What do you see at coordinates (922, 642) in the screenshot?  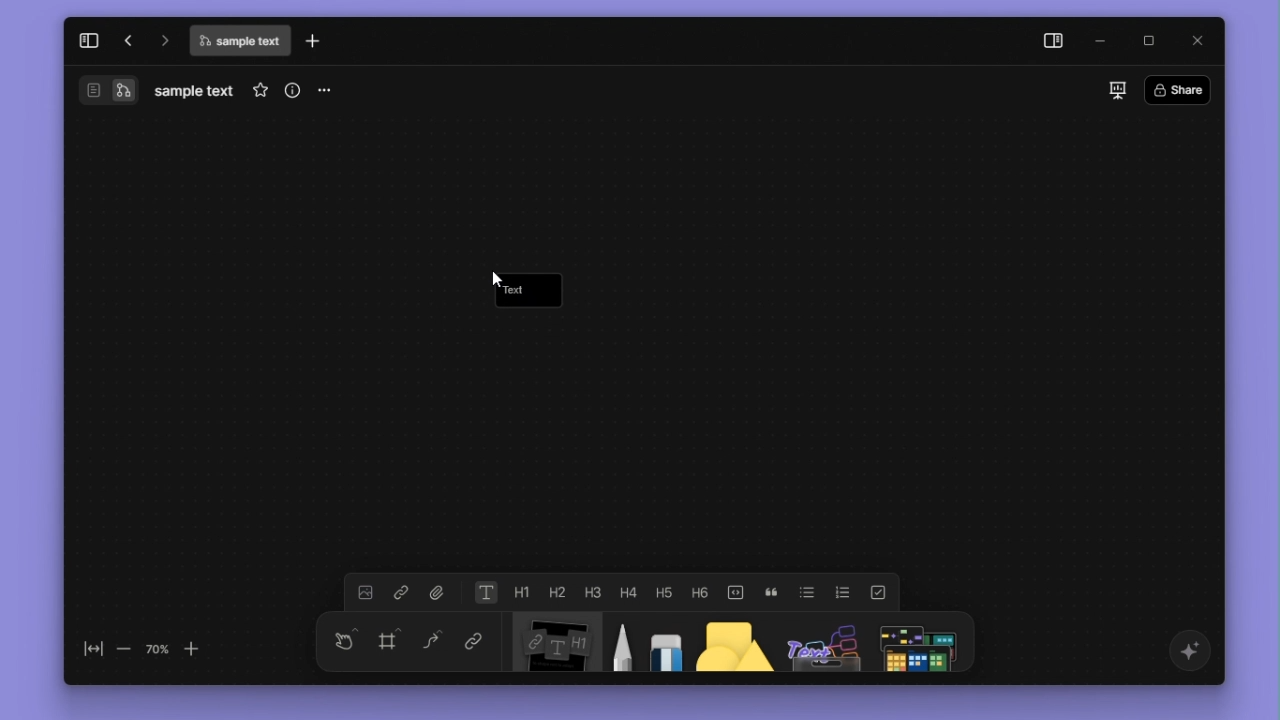 I see `more shapes` at bounding box center [922, 642].